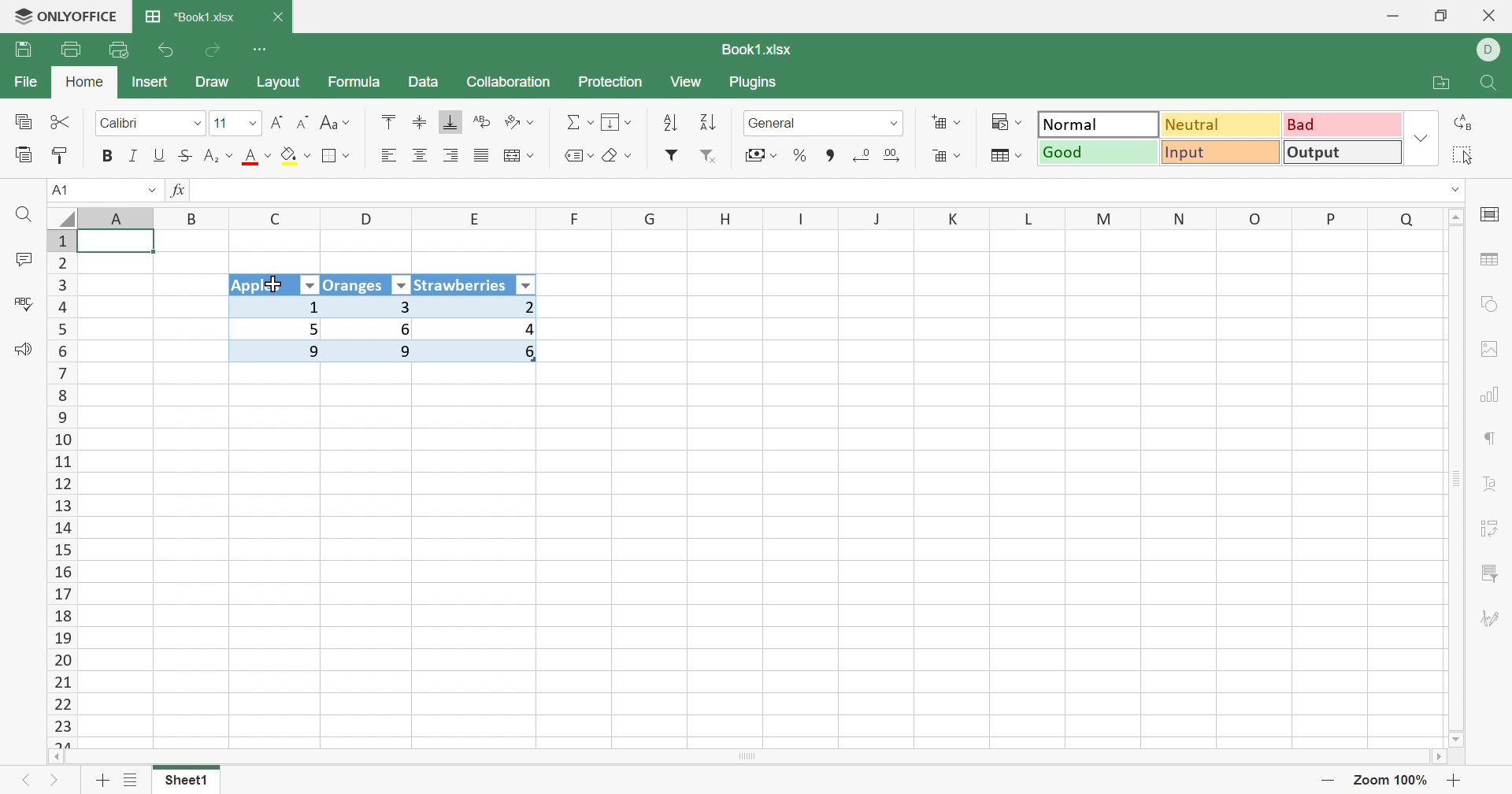  I want to click on Cut, so click(61, 121).